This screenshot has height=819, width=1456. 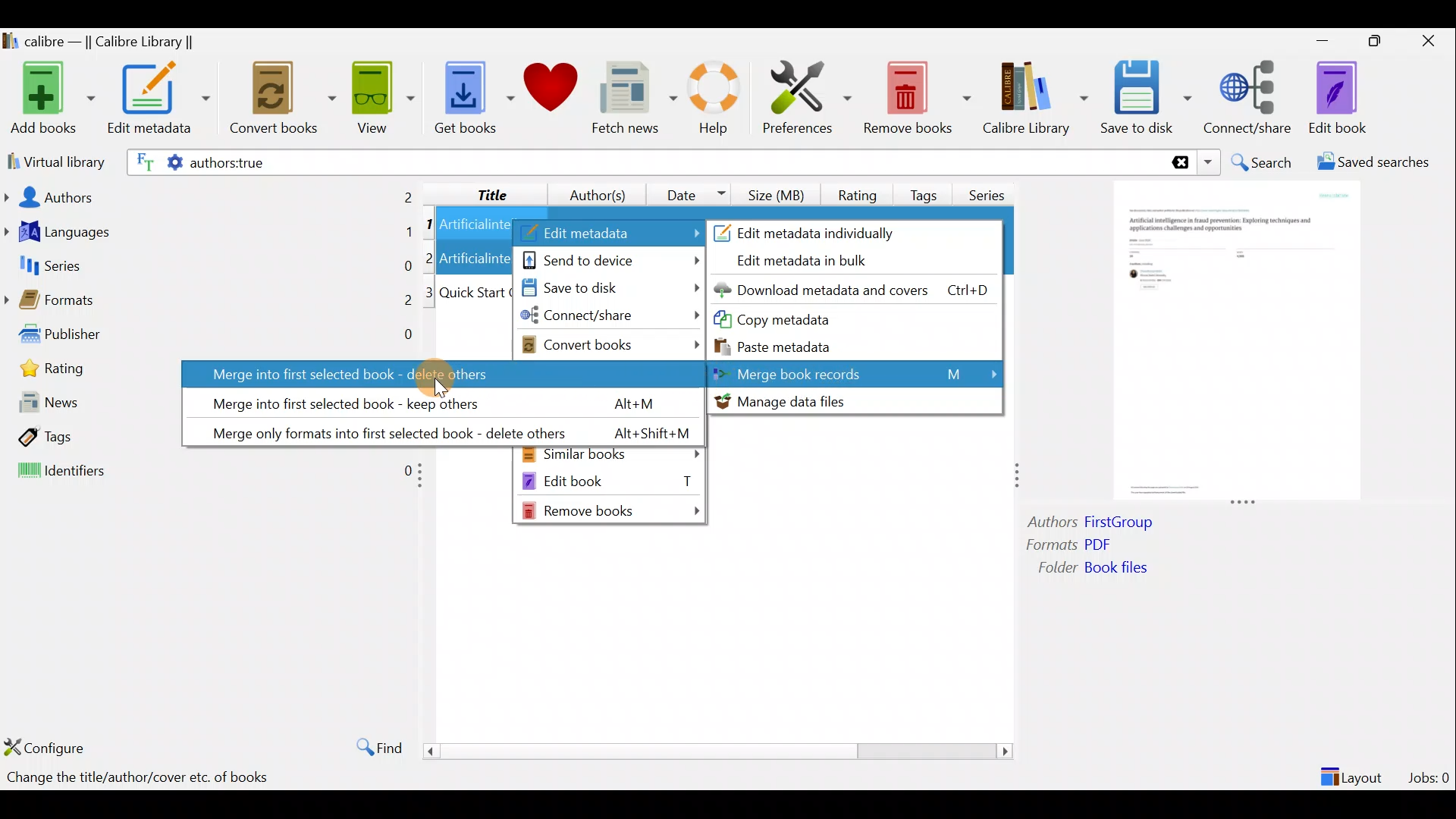 What do you see at coordinates (642, 162) in the screenshot?
I see `Search by - authors:true` at bounding box center [642, 162].